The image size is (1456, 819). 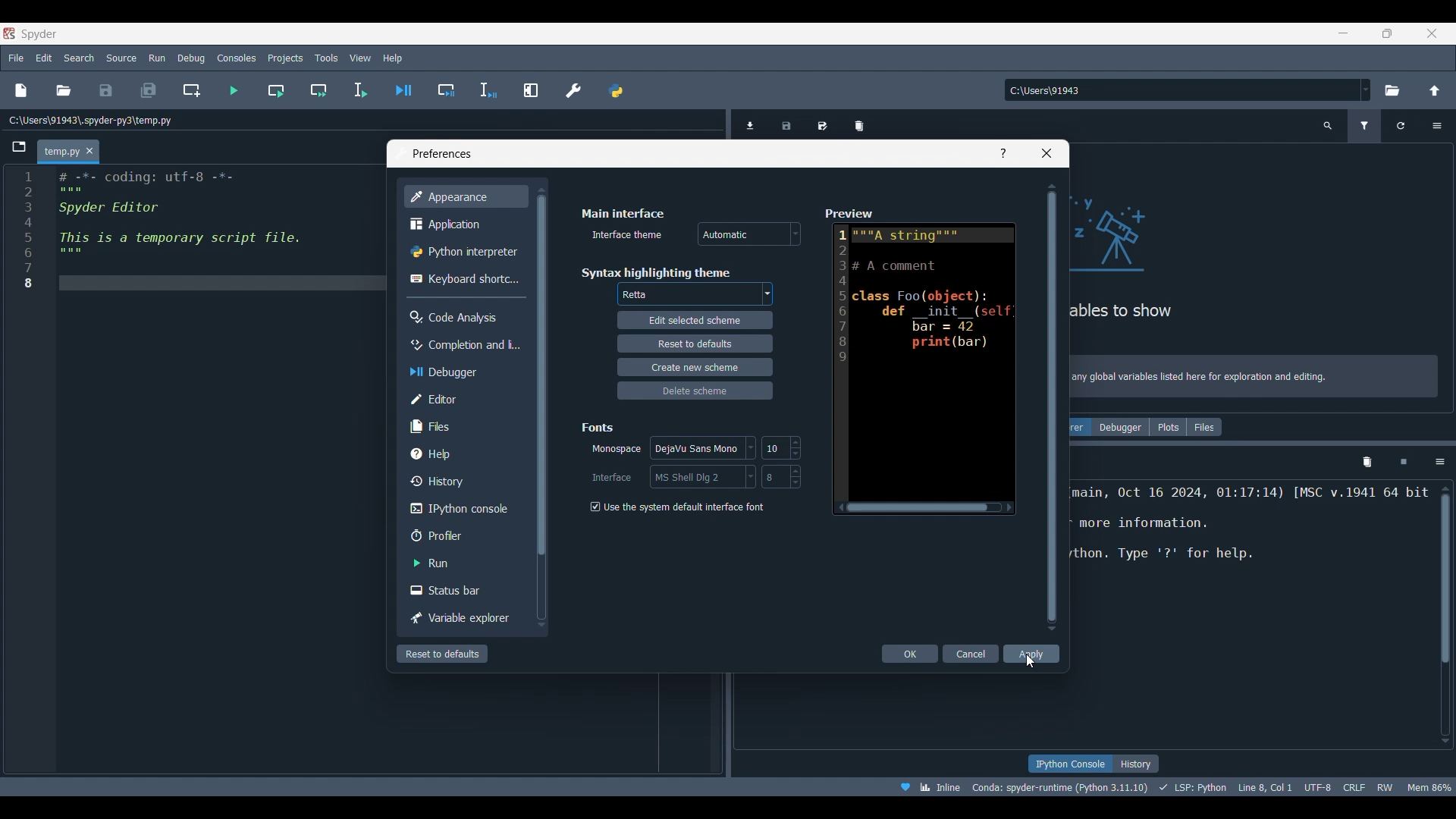 I want to click on Debug cell, so click(x=447, y=90).